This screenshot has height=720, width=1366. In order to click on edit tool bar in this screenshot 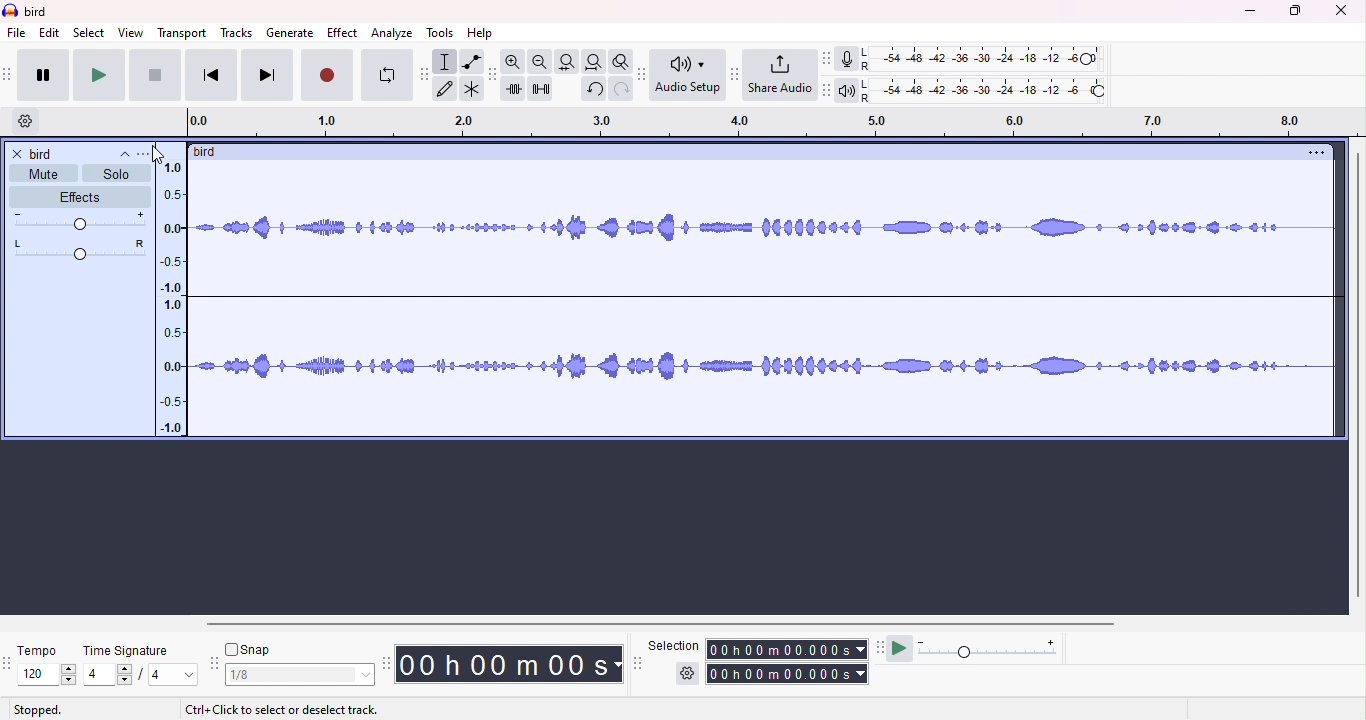, I will do `click(493, 73)`.